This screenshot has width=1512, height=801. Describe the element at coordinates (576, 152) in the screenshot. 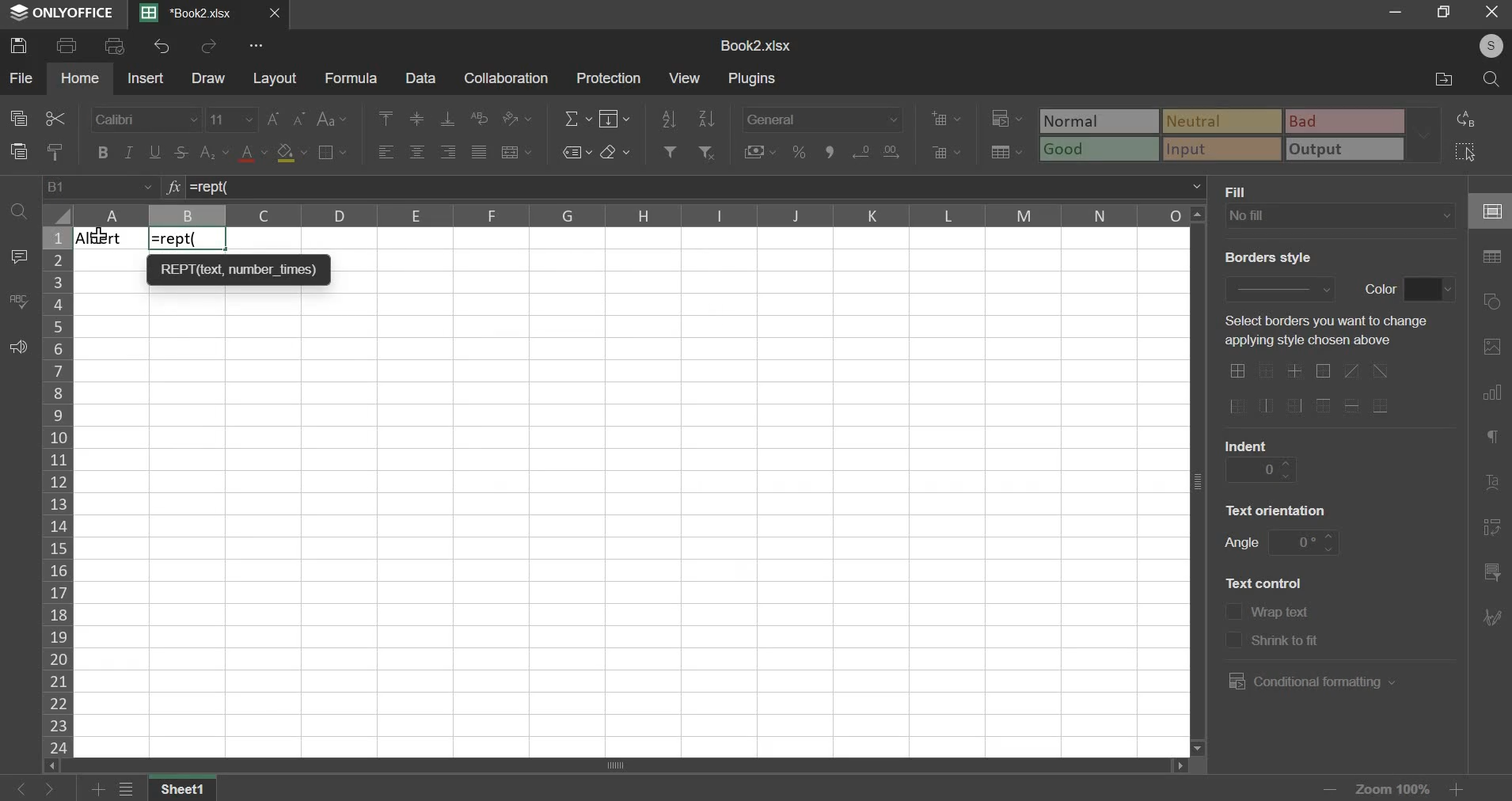

I see `named ranges` at that location.